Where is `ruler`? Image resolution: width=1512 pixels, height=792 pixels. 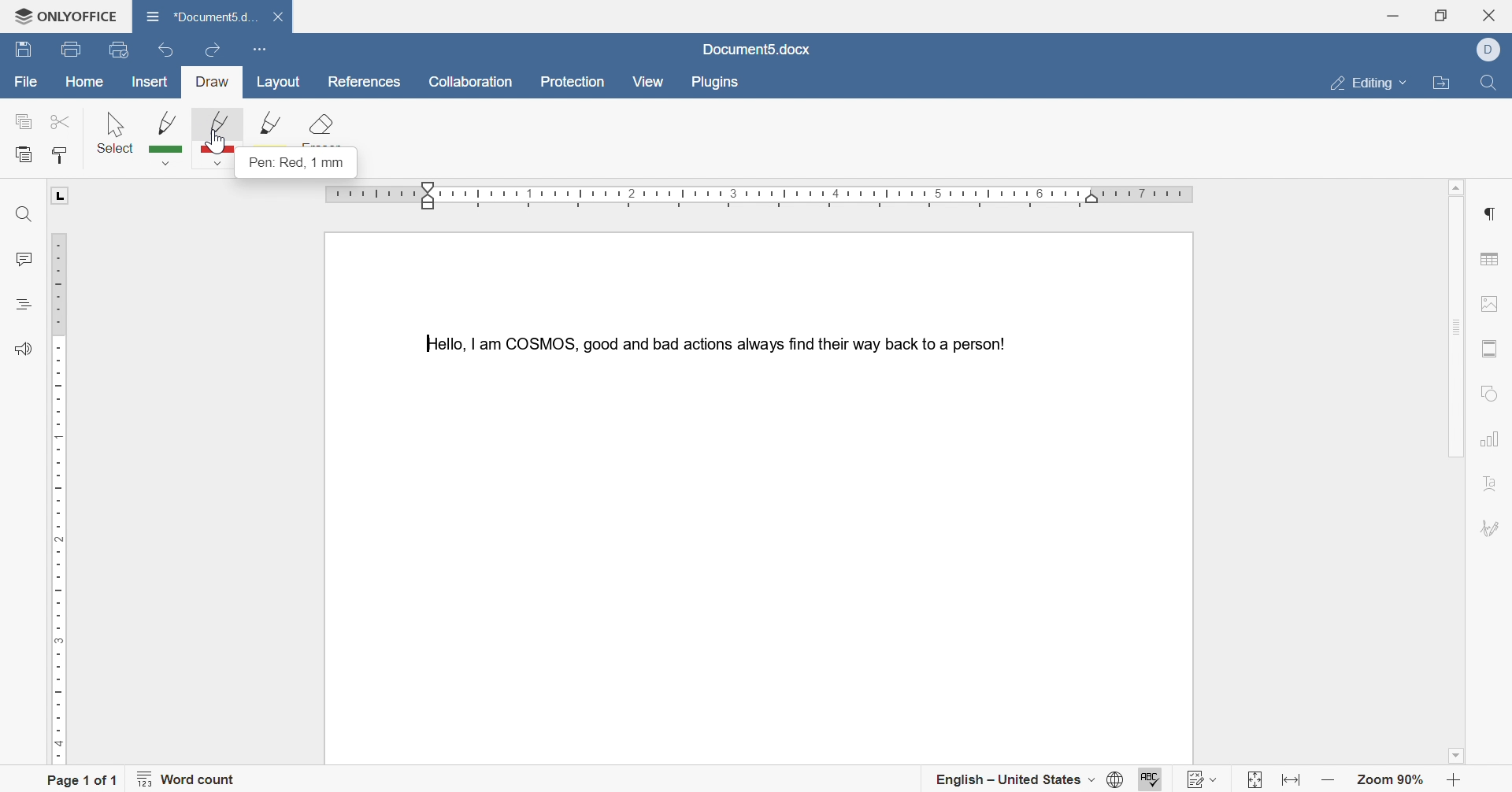 ruler is located at coordinates (57, 495).